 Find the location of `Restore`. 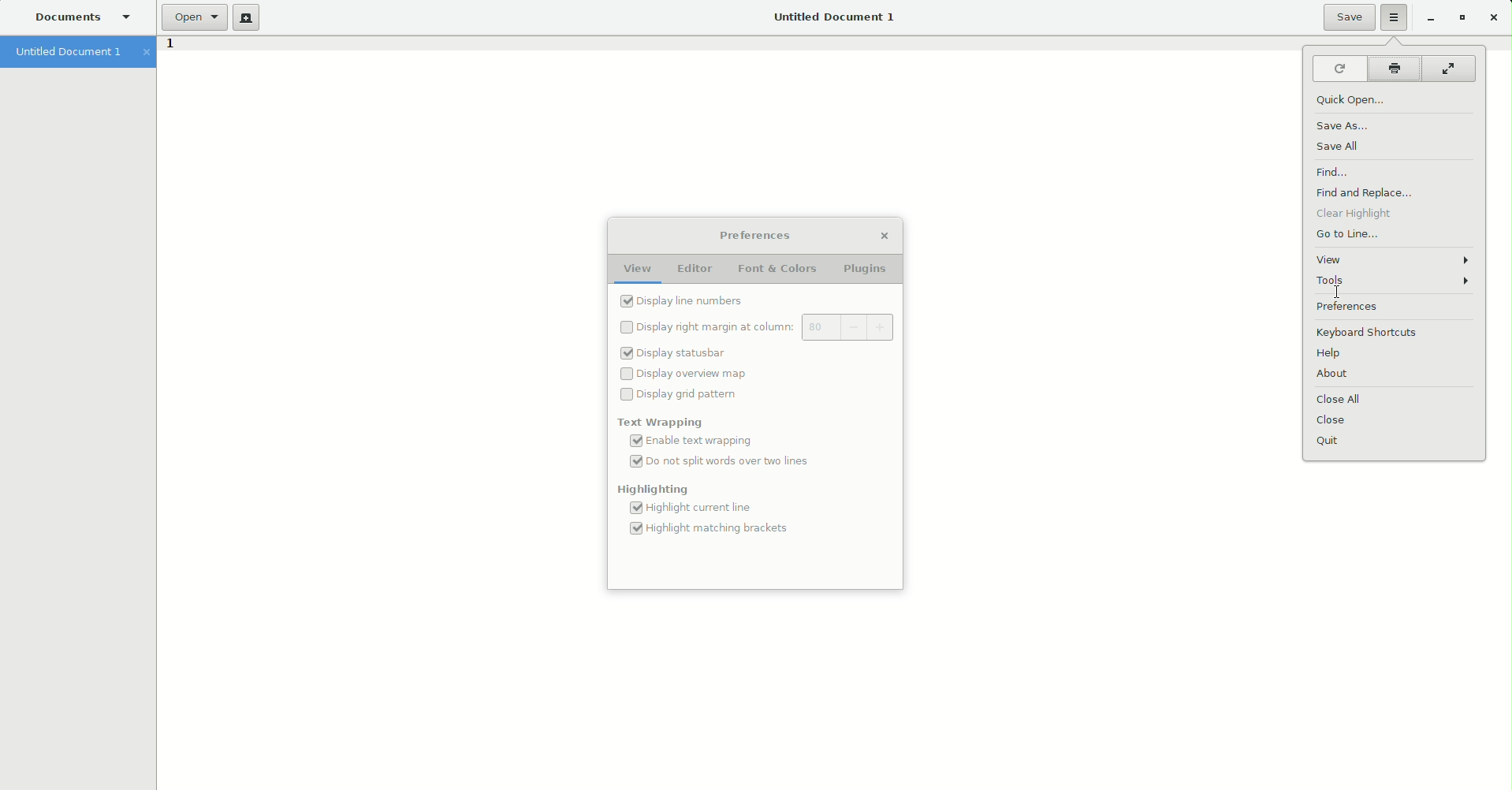

Restore is located at coordinates (1426, 20).